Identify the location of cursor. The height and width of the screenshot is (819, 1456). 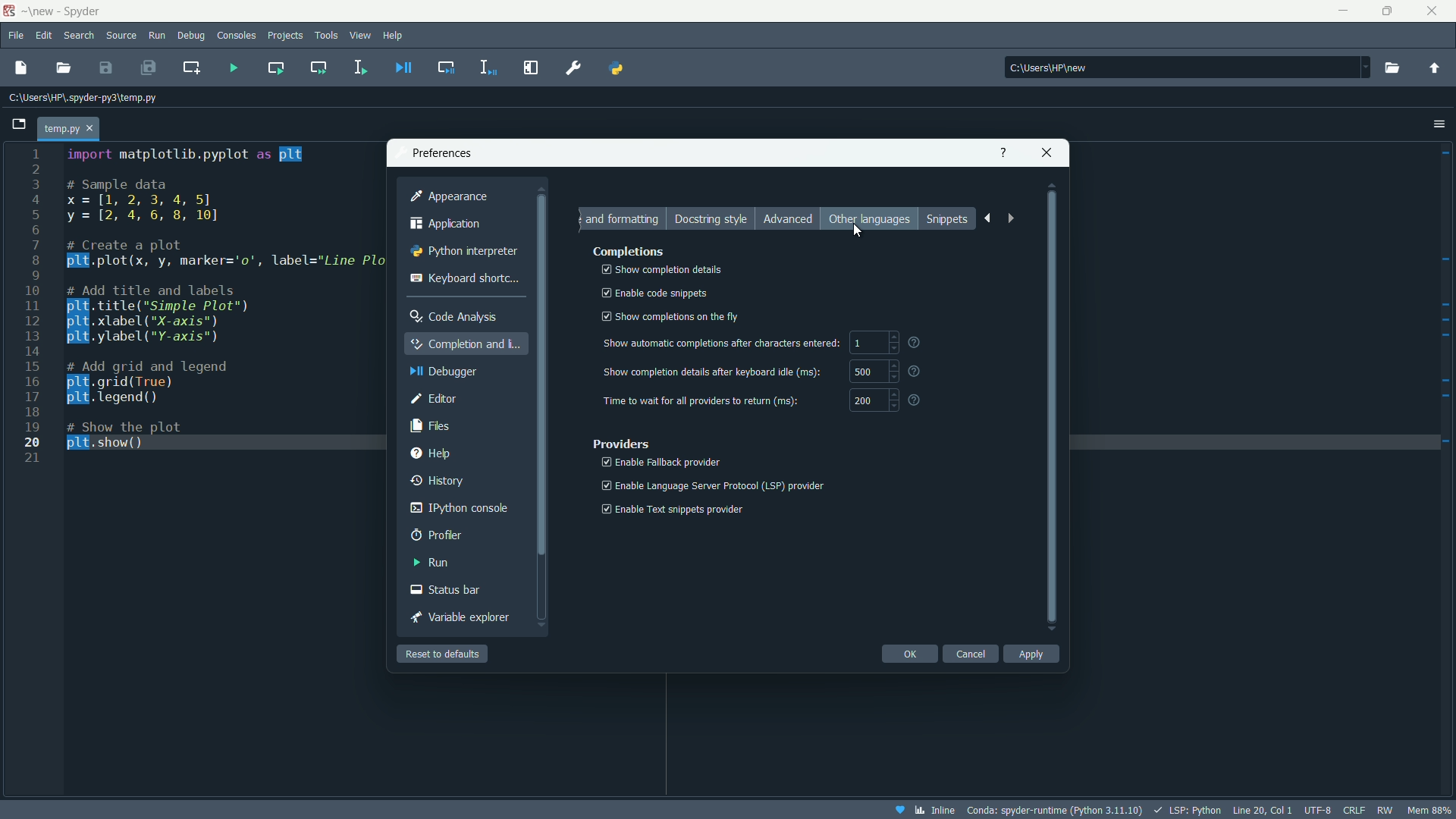
(858, 233).